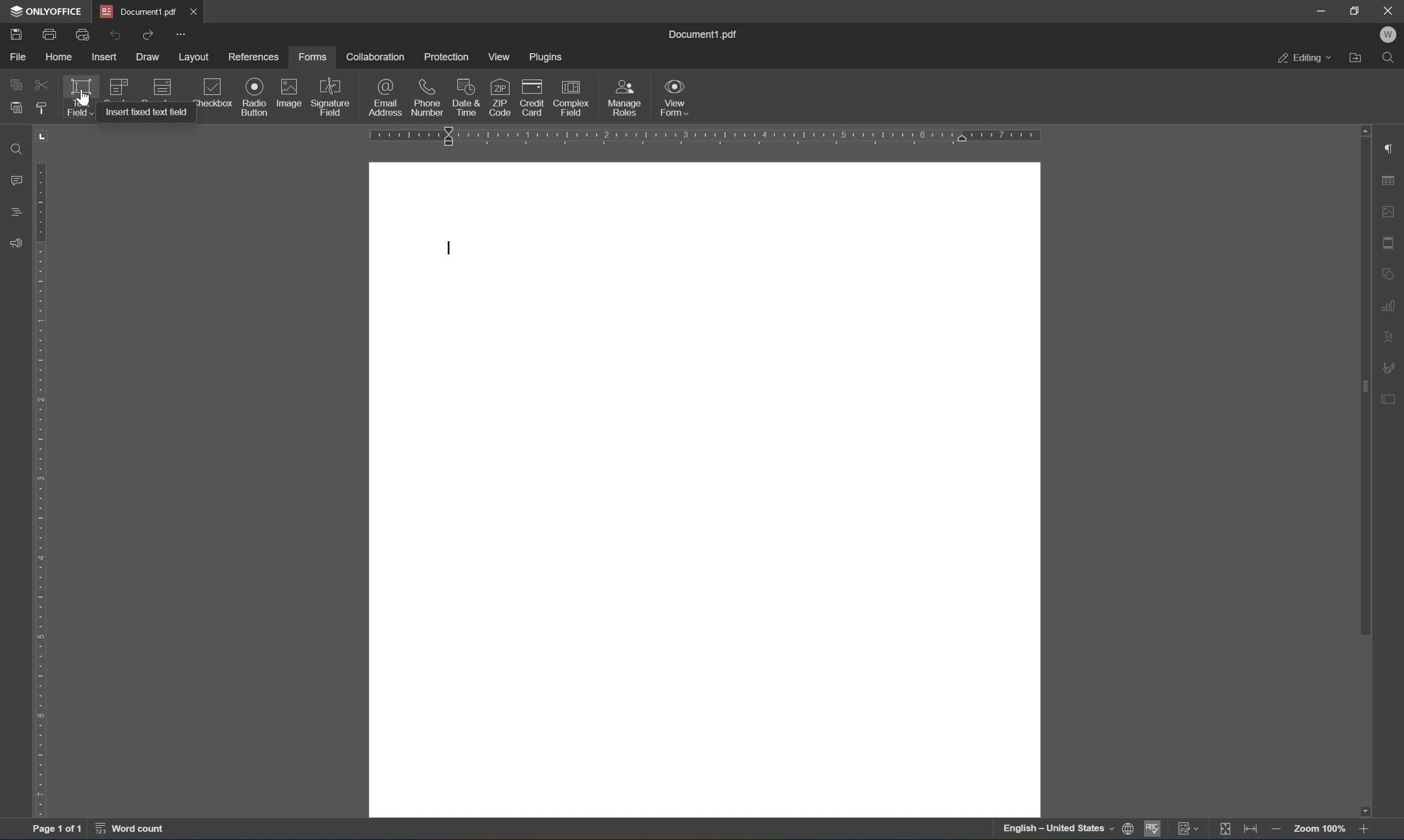 The image size is (1404, 840). What do you see at coordinates (43, 84) in the screenshot?
I see `cut` at bounding box center [43, 84].